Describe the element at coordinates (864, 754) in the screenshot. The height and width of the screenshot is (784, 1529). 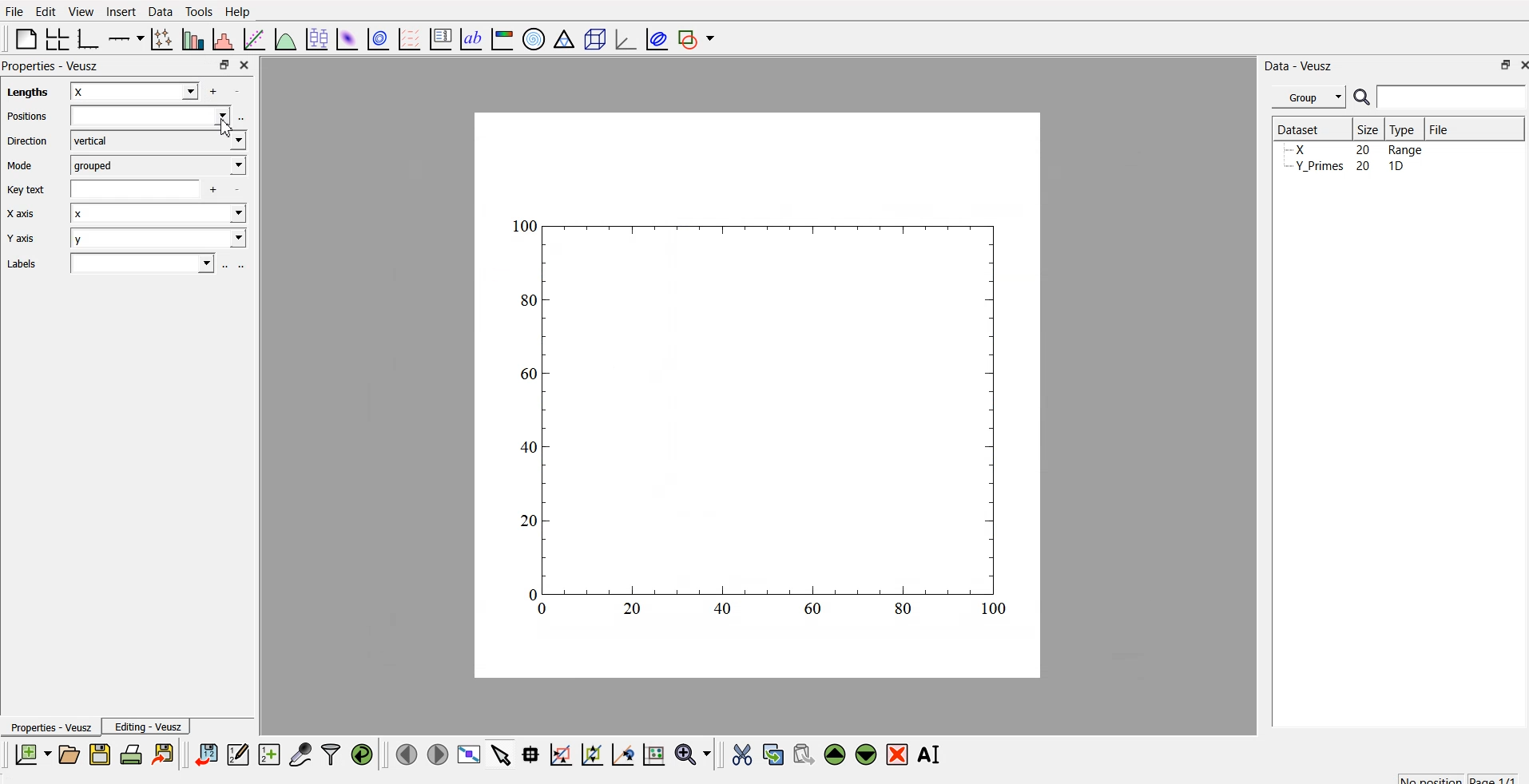
I see `move down the widget ` at that location.